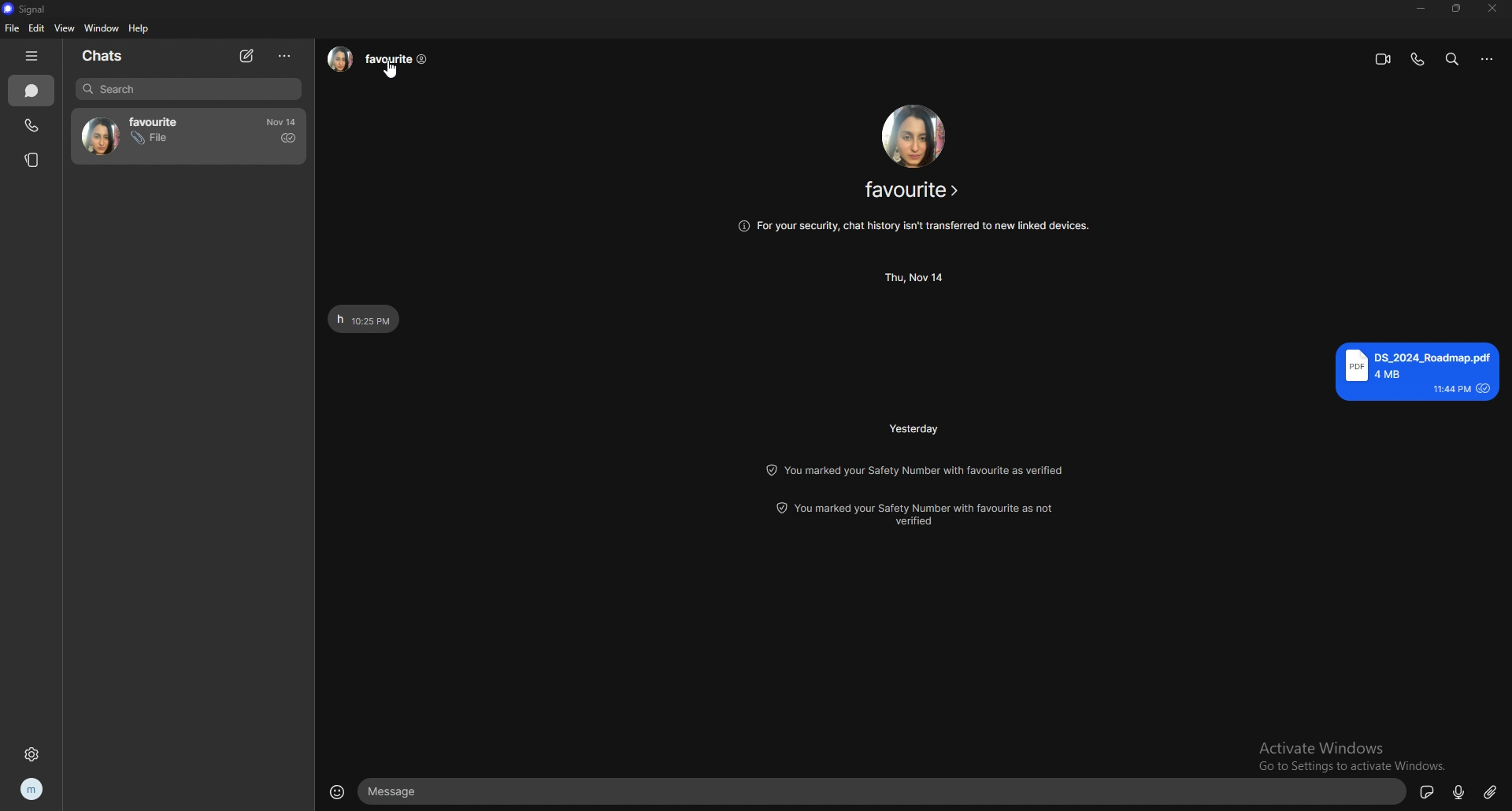 This screenshot has width=1512, height=811. What do you see at coordinates (64, 28) in the screenshot?
I see `view` at bounding box center [64, 28].